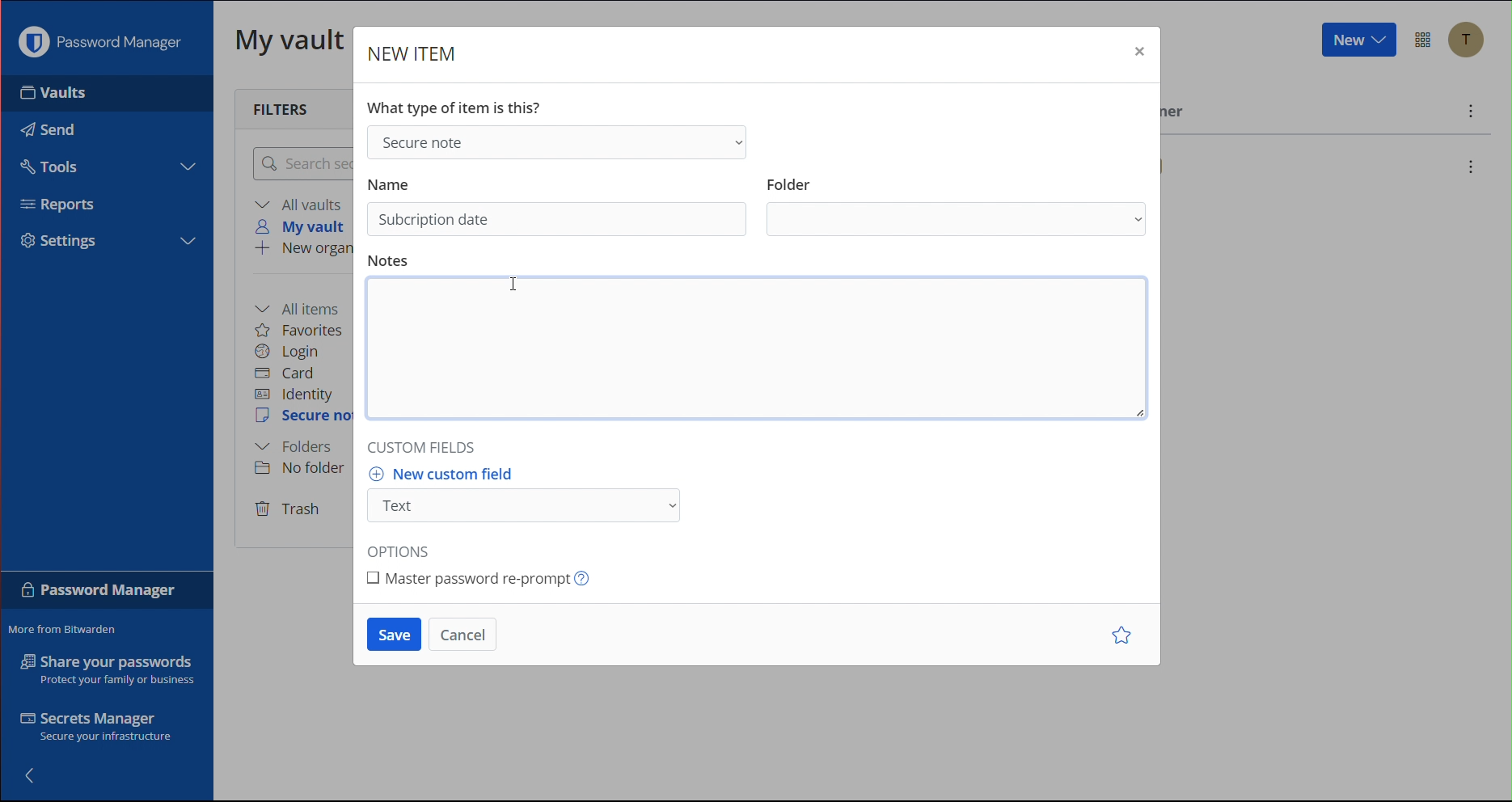 The width and height of the screenshot is (1512, 802). What do you see at coordinates (435, 220) in the screenshot?
I see `Subscription date` at bounding box center [435, 220].